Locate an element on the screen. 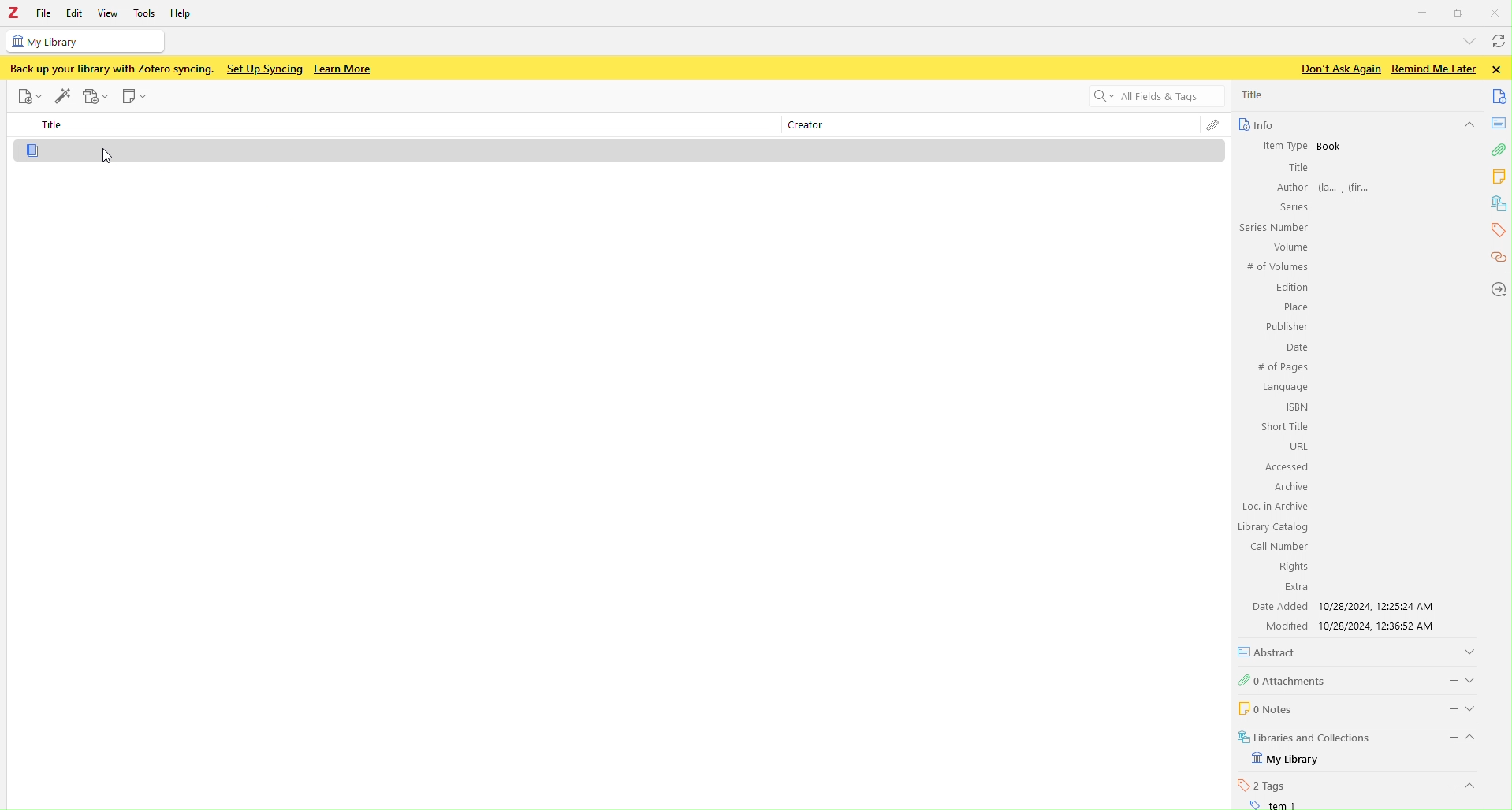 Image resolution: width=1512 pixels, height=810 pixels. Title is located at coordinates (54, 125).